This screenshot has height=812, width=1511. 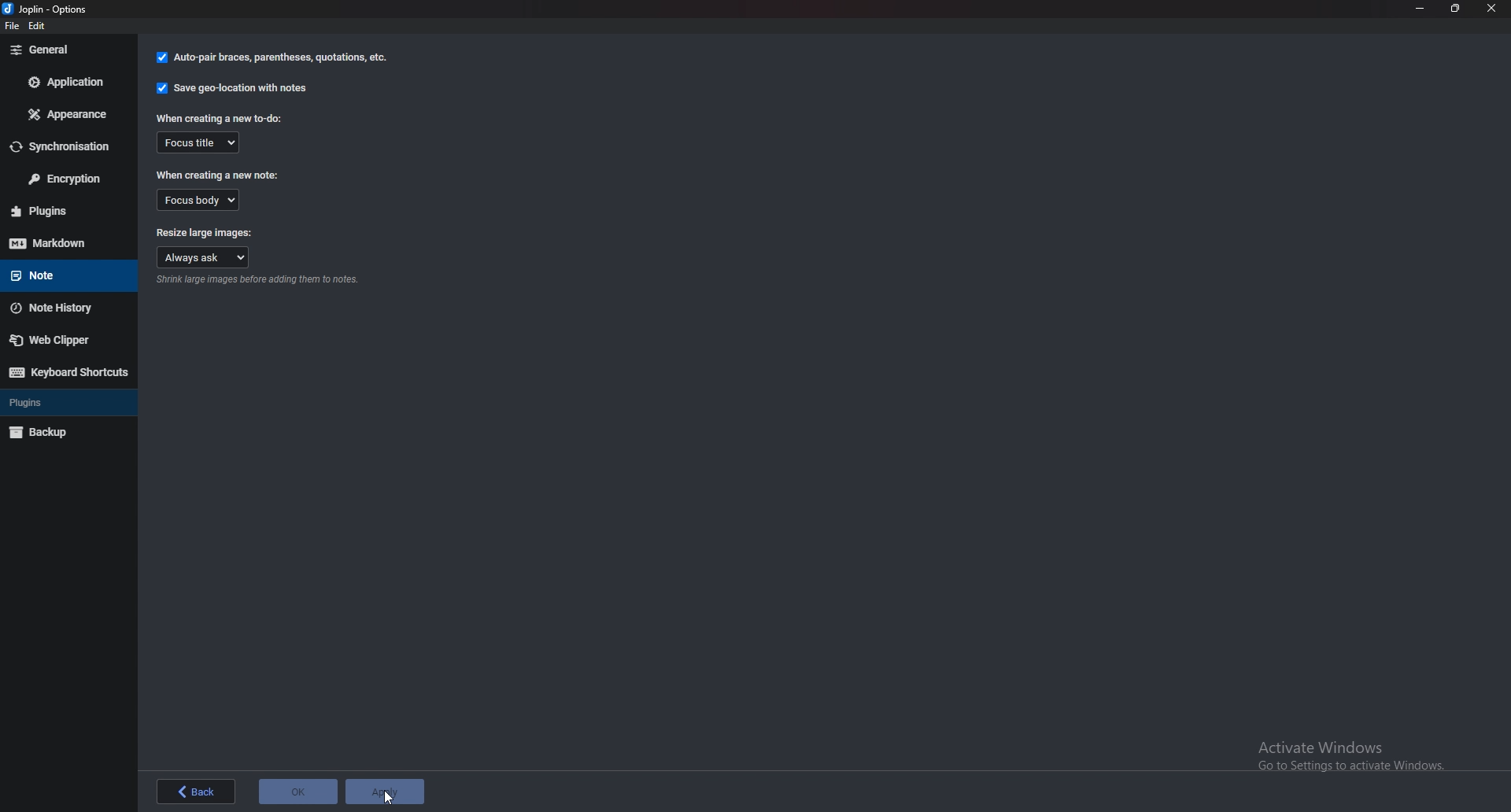 What do you see at coordinates (65, 209) in the screenshot?
I see `Plugins` at bounding box center [65, 209].